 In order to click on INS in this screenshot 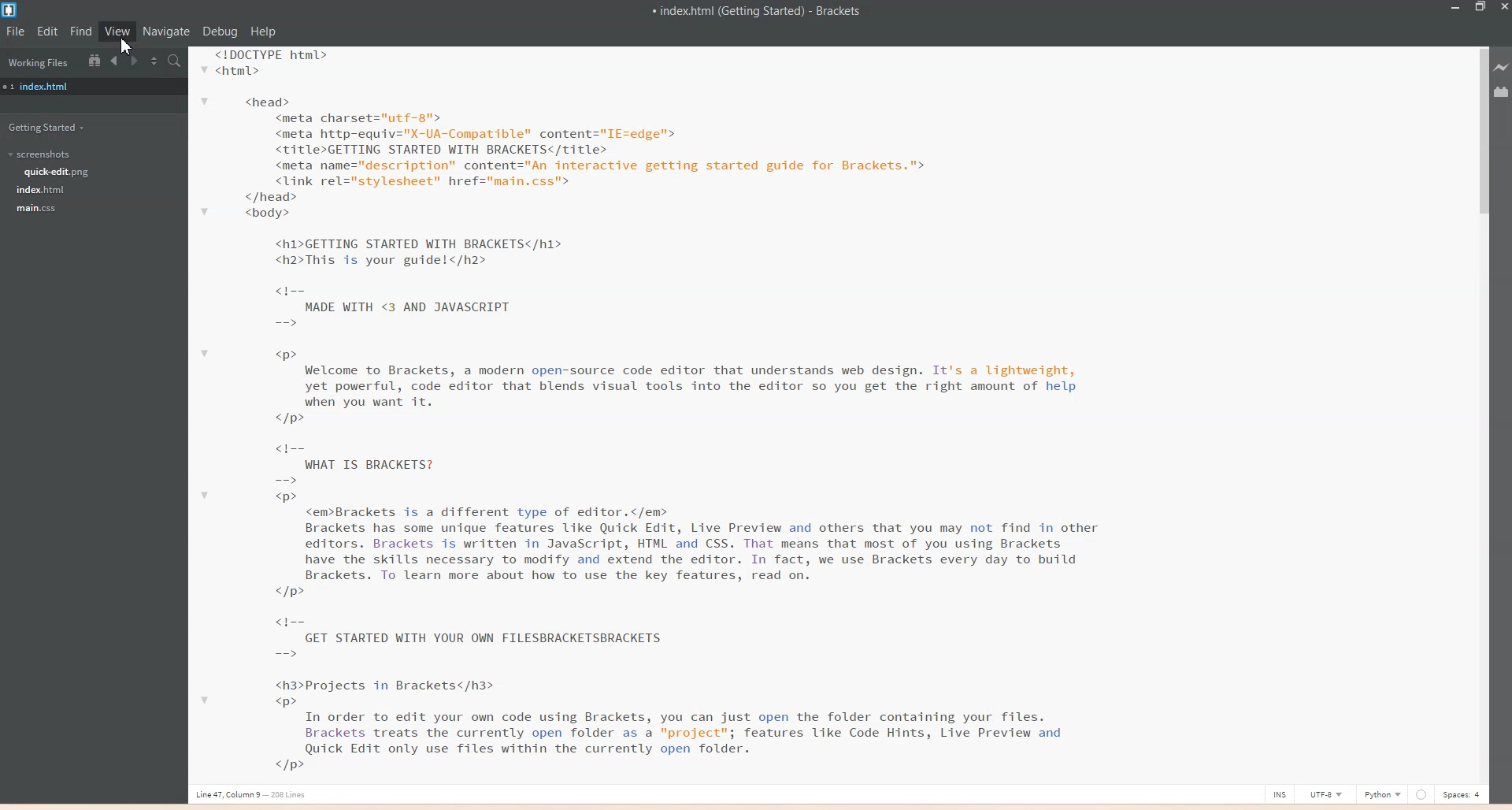, I will do `click(1280, 793)`.